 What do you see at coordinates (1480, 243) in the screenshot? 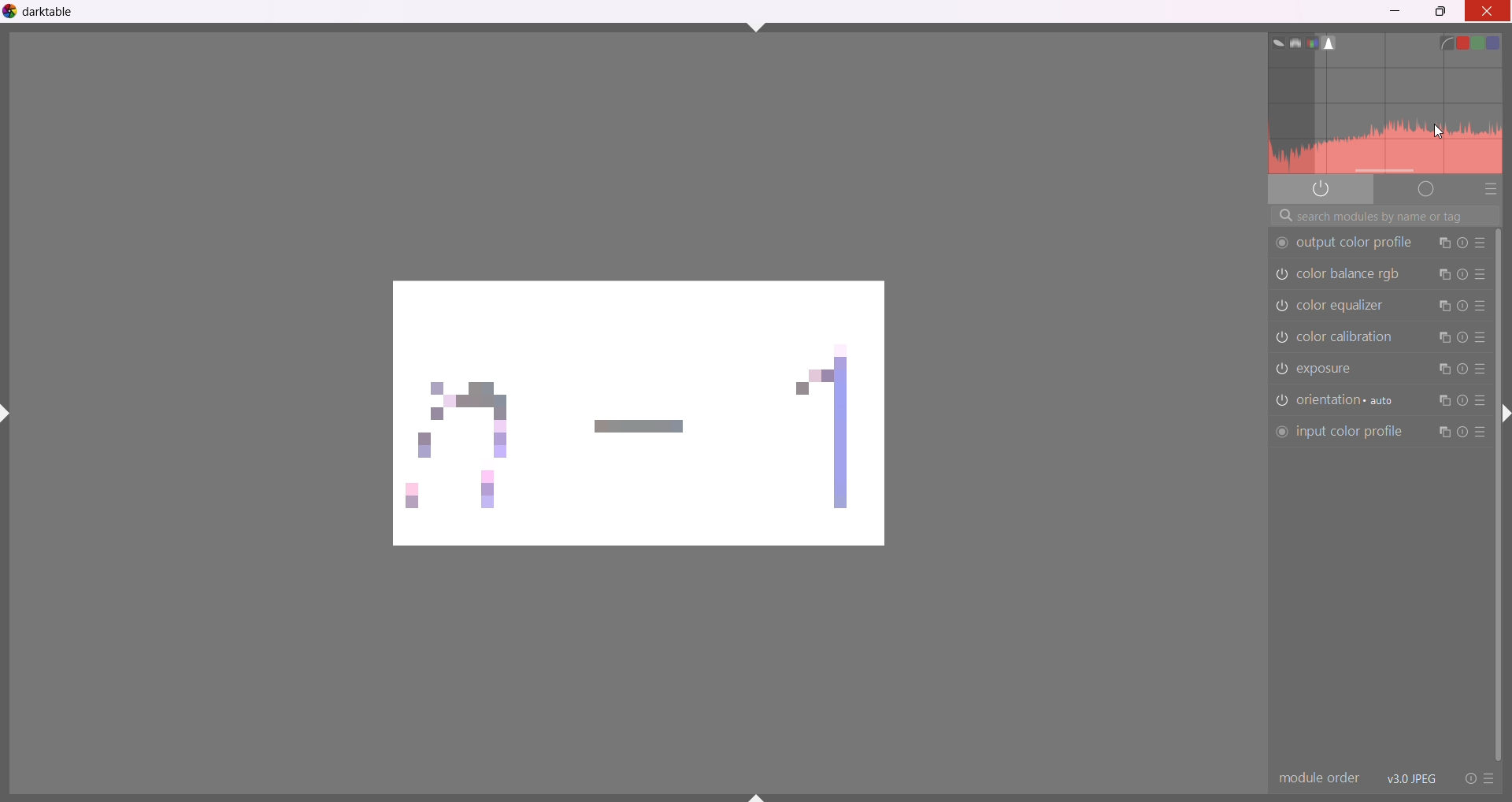
I see `presets` at bounding box center [1480, 243].